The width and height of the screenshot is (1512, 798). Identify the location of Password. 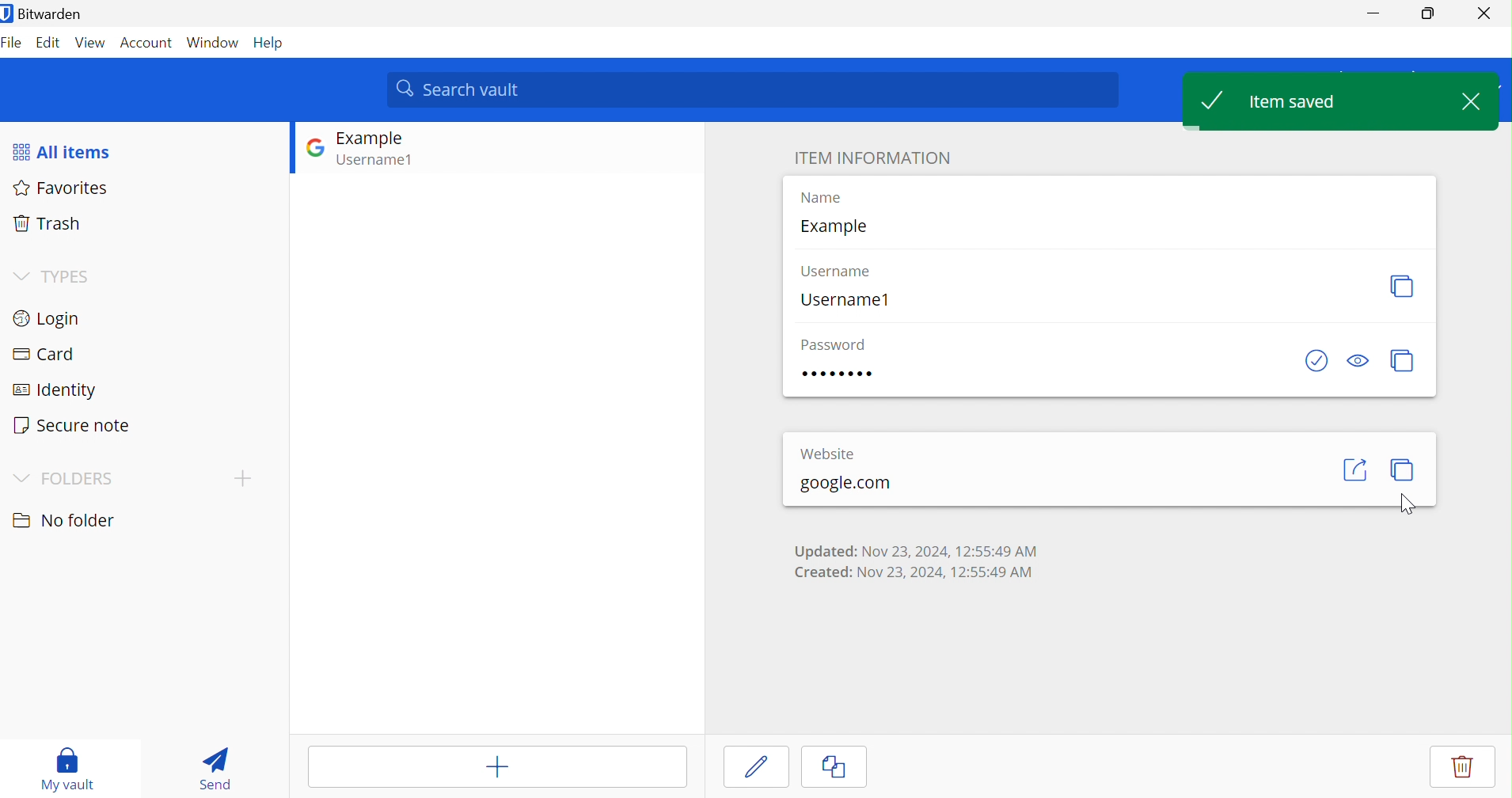
(838, 375).